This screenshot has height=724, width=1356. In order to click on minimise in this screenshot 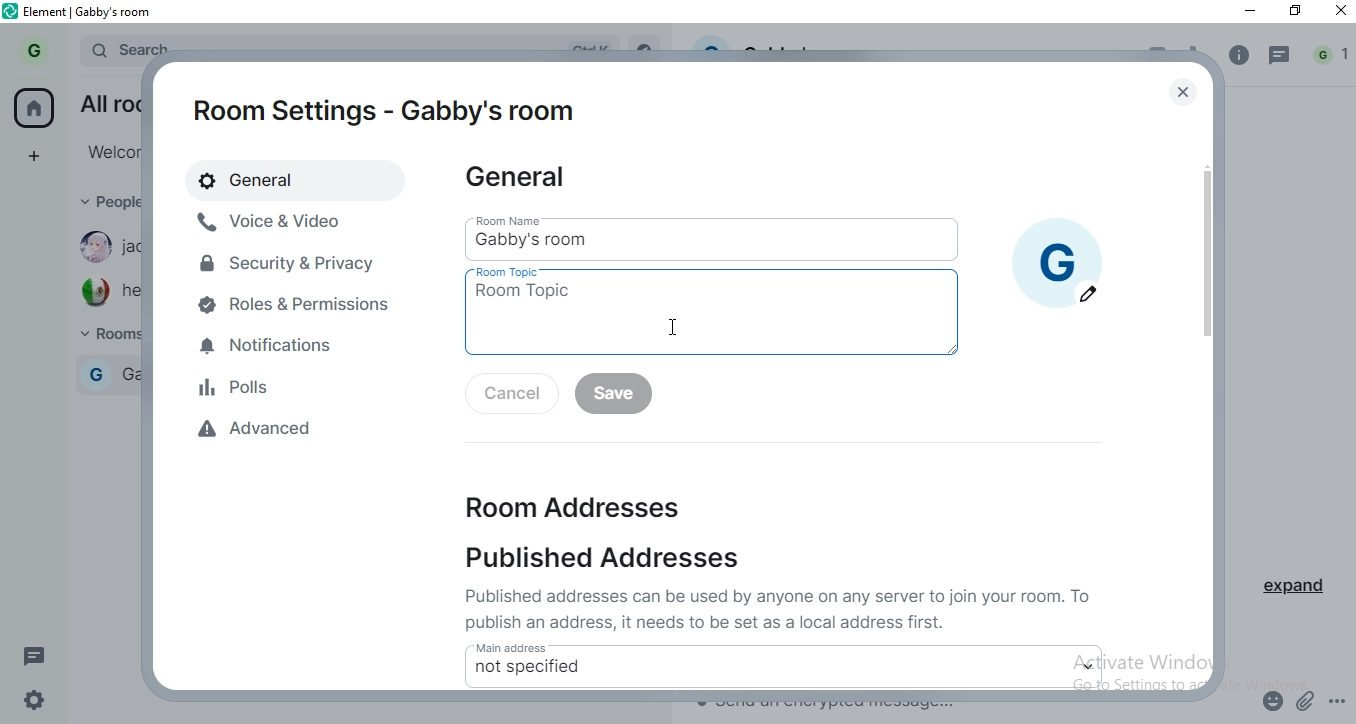, I will do `click(1250, 14)`.